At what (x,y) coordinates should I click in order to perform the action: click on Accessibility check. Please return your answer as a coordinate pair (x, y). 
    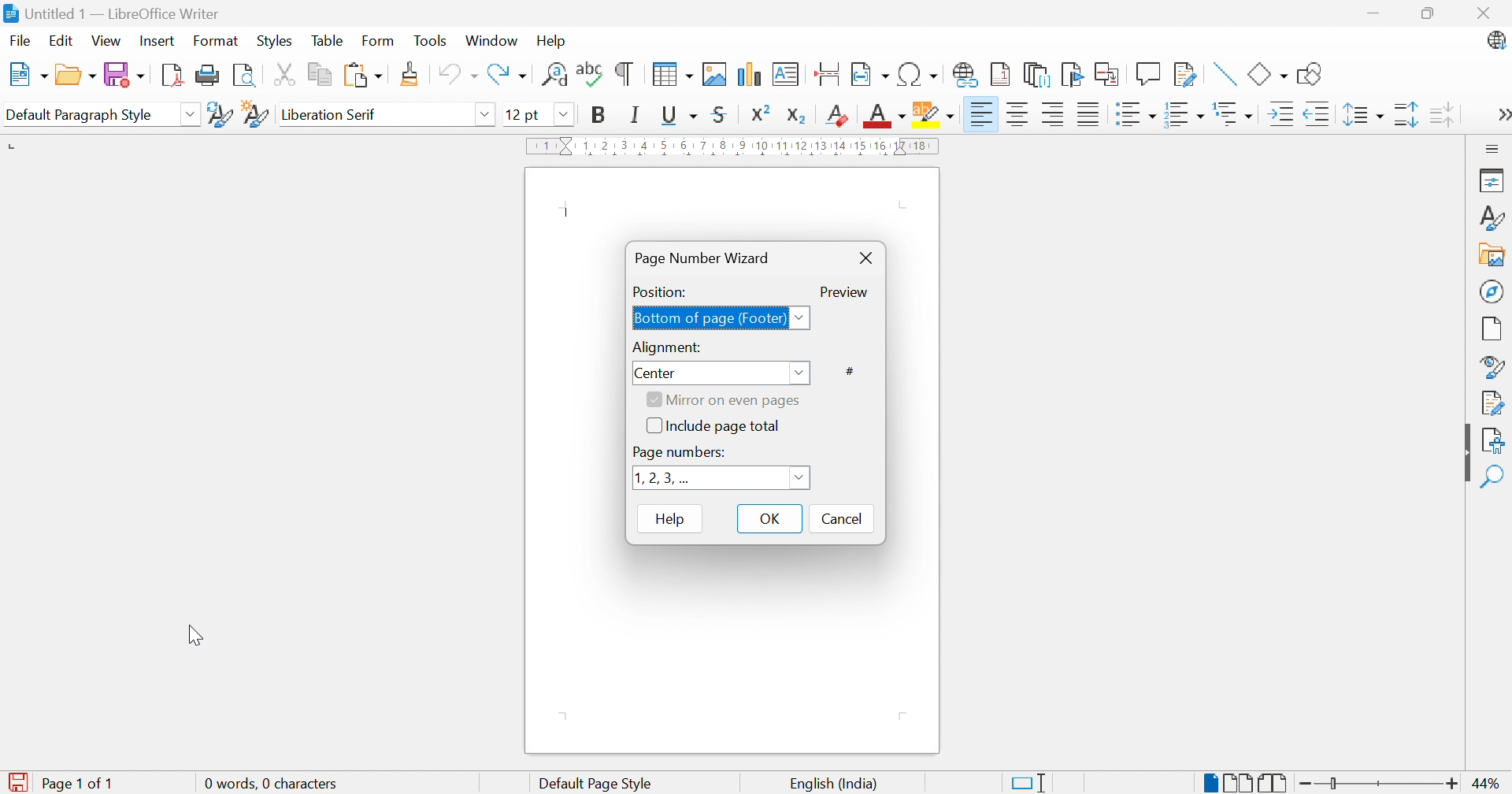
    Looking at the image, I should click on (1493, 442).